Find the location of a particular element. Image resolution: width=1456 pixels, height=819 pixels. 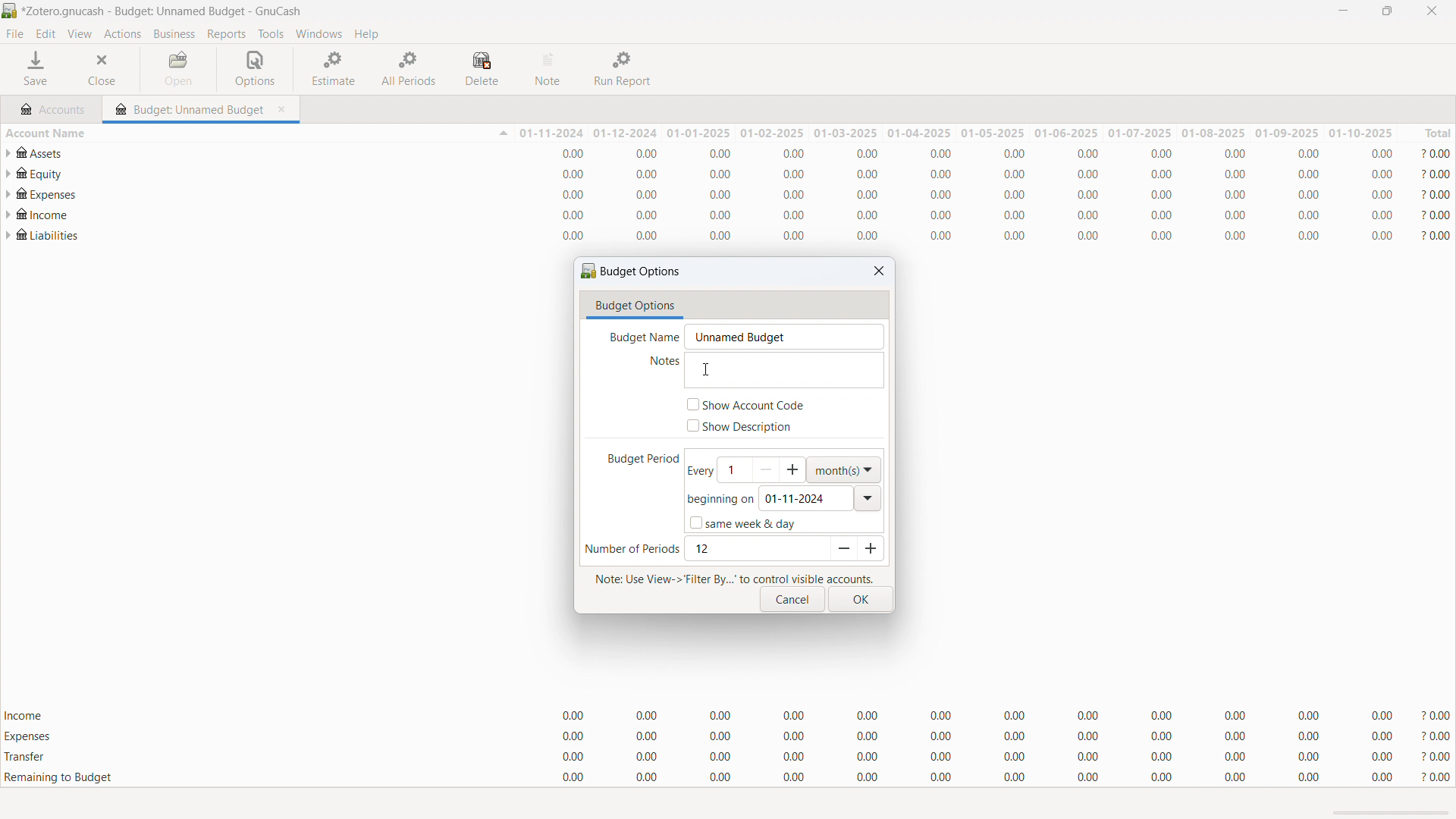

delete is located at coordinates (485, 69).